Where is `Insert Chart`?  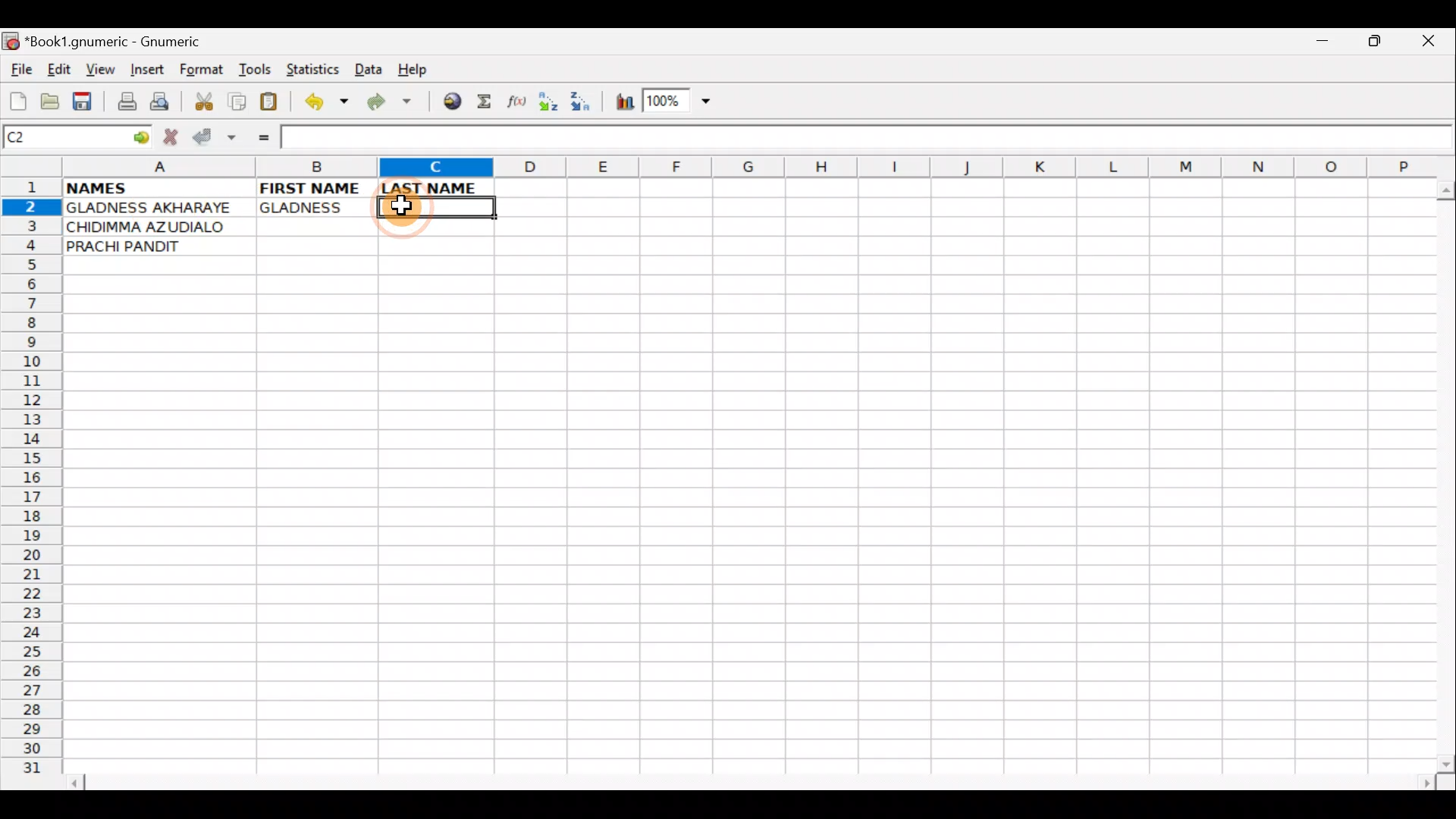 Insert Chart is located at coordinates (620, 104).